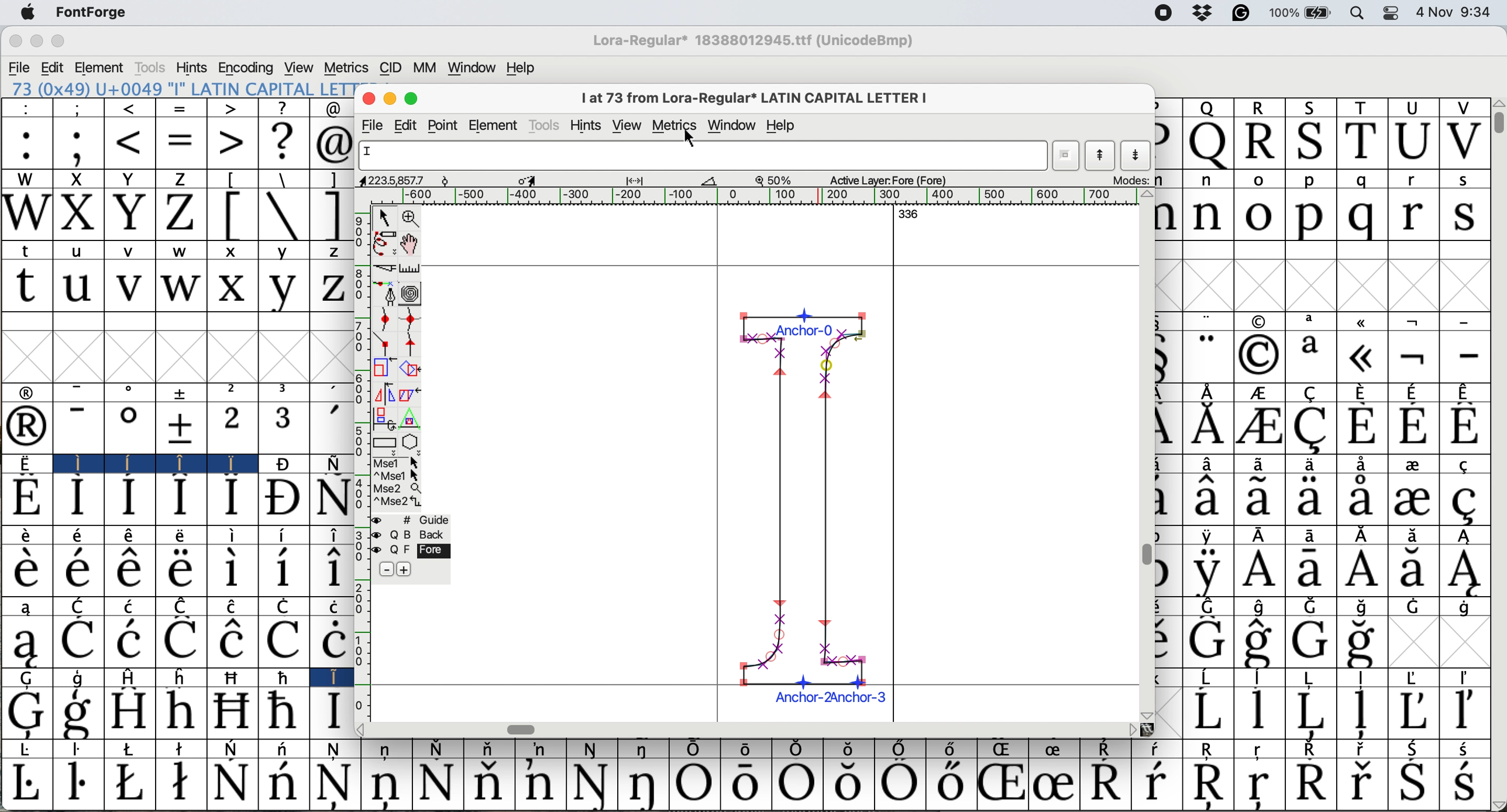 The image size is (1507, 812). I want to click on 73 (0x49) "I" LATIN CAPITAL LETTER, so click(178, 88).